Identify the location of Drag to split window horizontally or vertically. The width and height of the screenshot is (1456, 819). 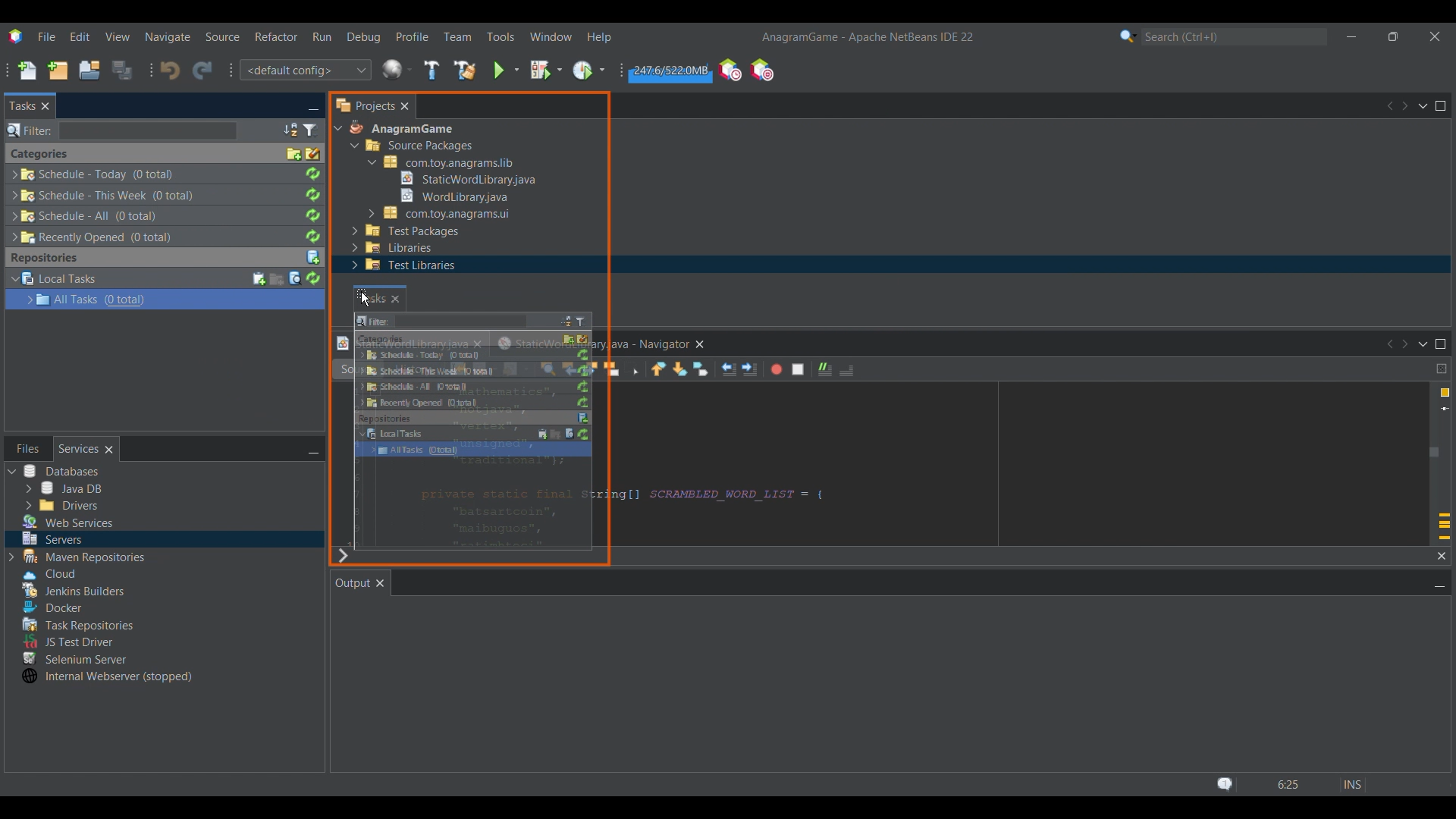
(1442, 369).